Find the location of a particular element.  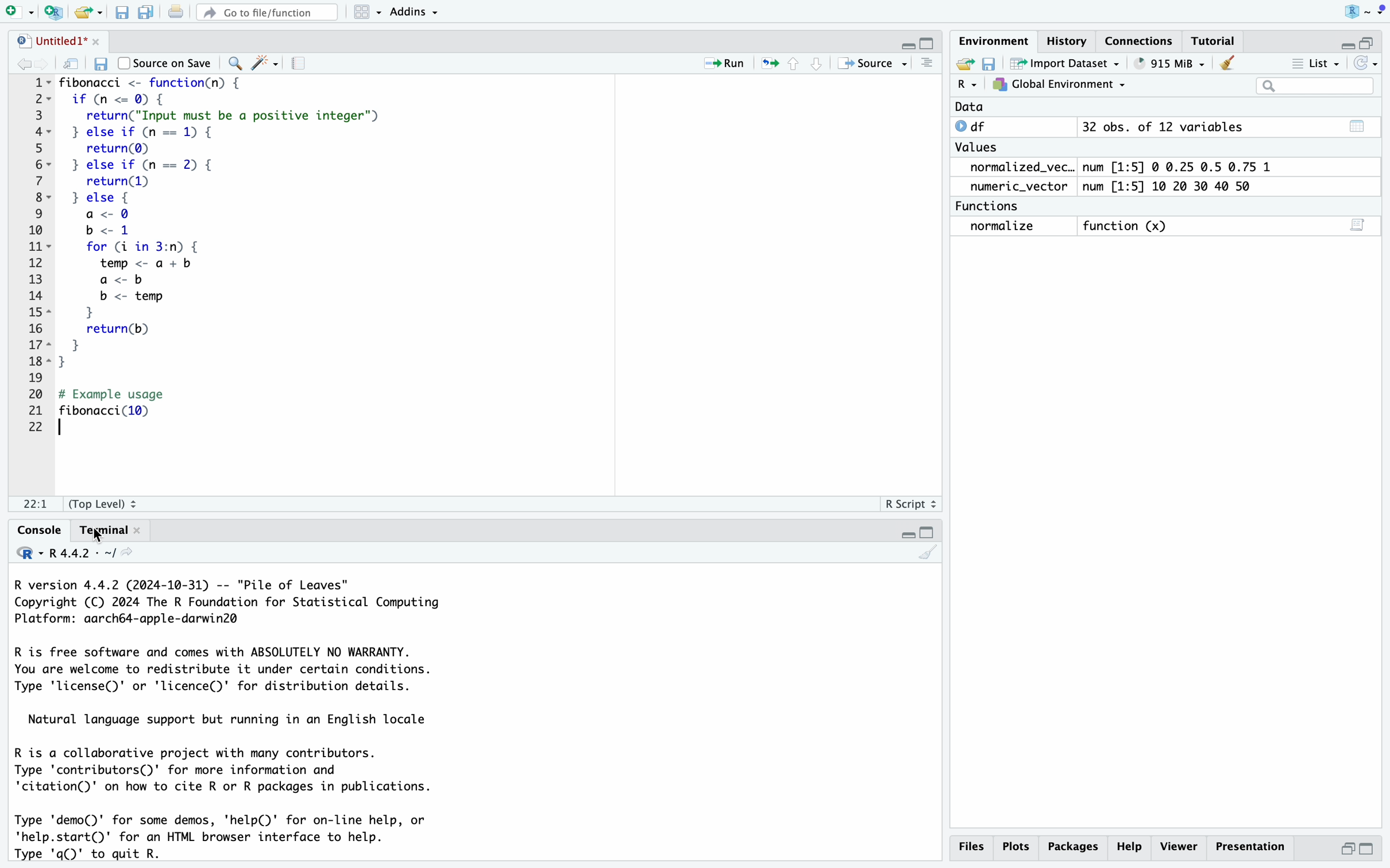

list is located at coordinates (1311, 61).